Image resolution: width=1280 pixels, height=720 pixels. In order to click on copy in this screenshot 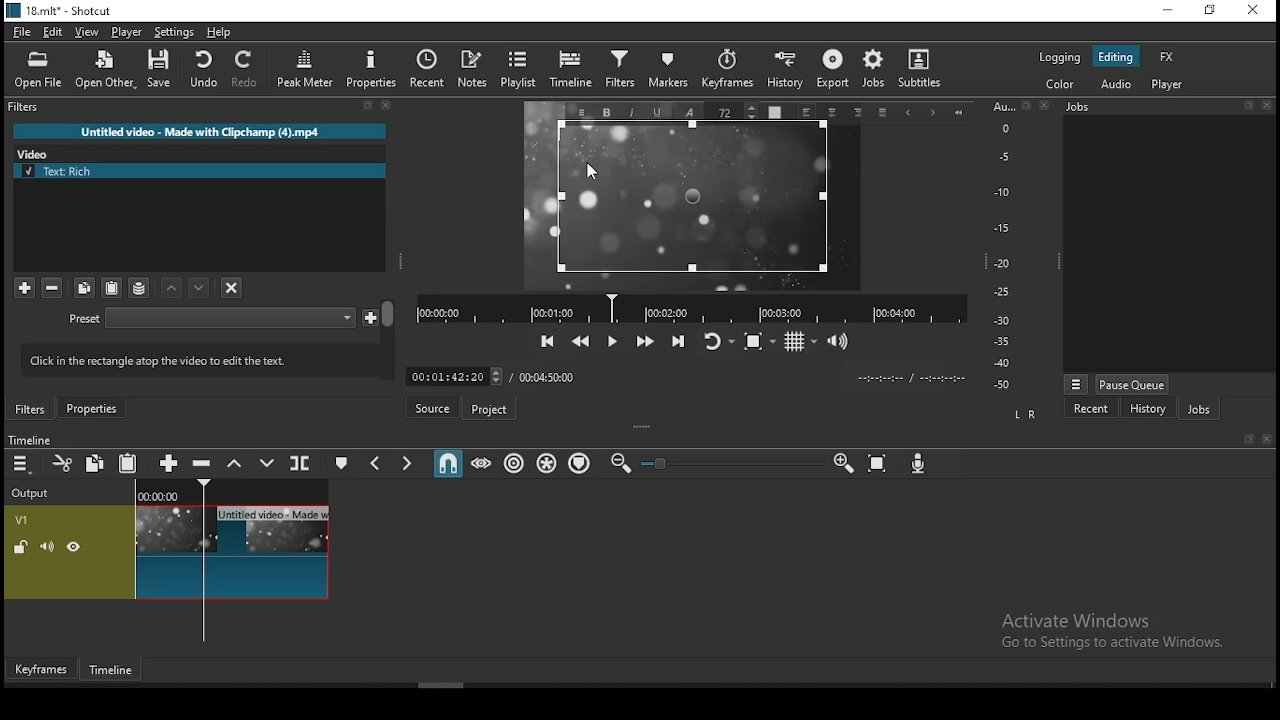, I will do `click(85, 288)`.